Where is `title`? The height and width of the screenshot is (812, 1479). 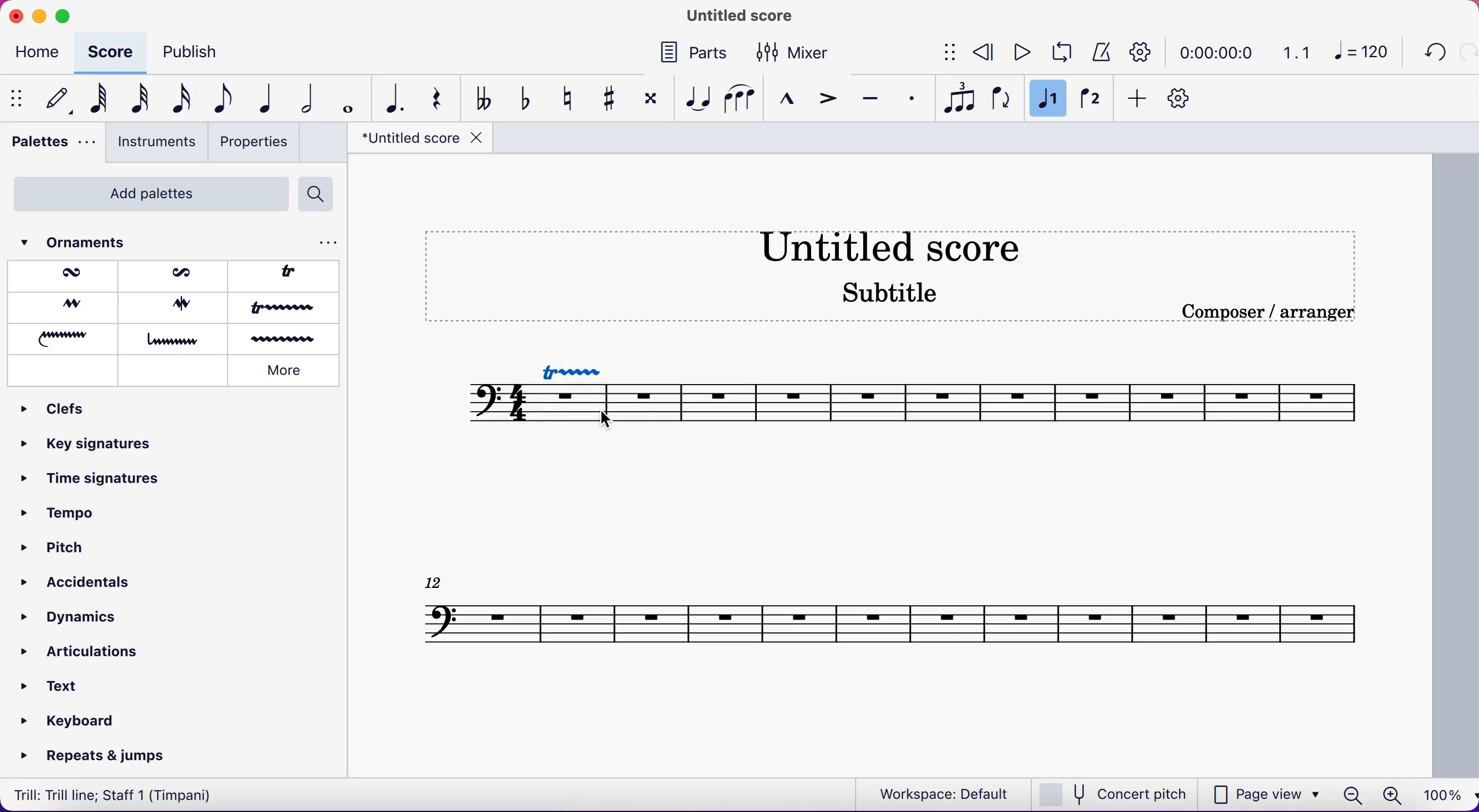 title is located at coordinates (734, 17).